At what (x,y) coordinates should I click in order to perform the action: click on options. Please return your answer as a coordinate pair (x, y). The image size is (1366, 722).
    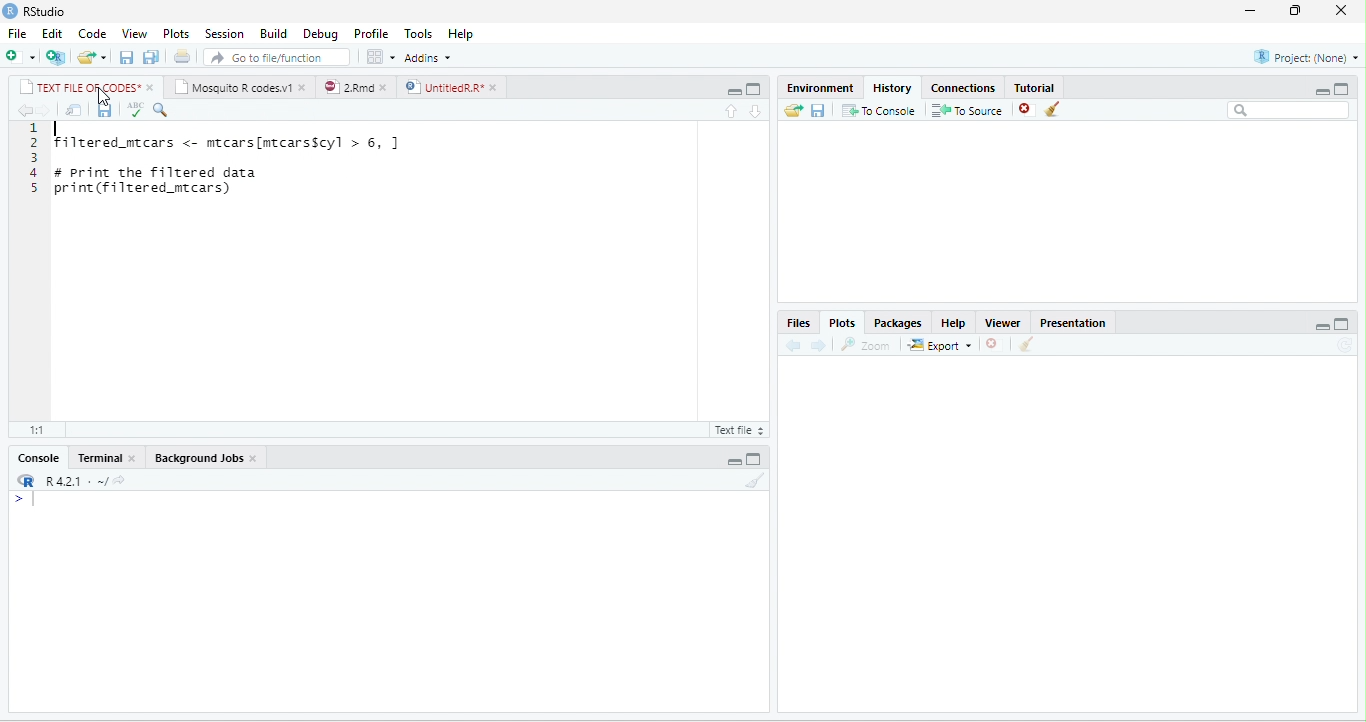
    Looking at the image, I should click on (380, 56).